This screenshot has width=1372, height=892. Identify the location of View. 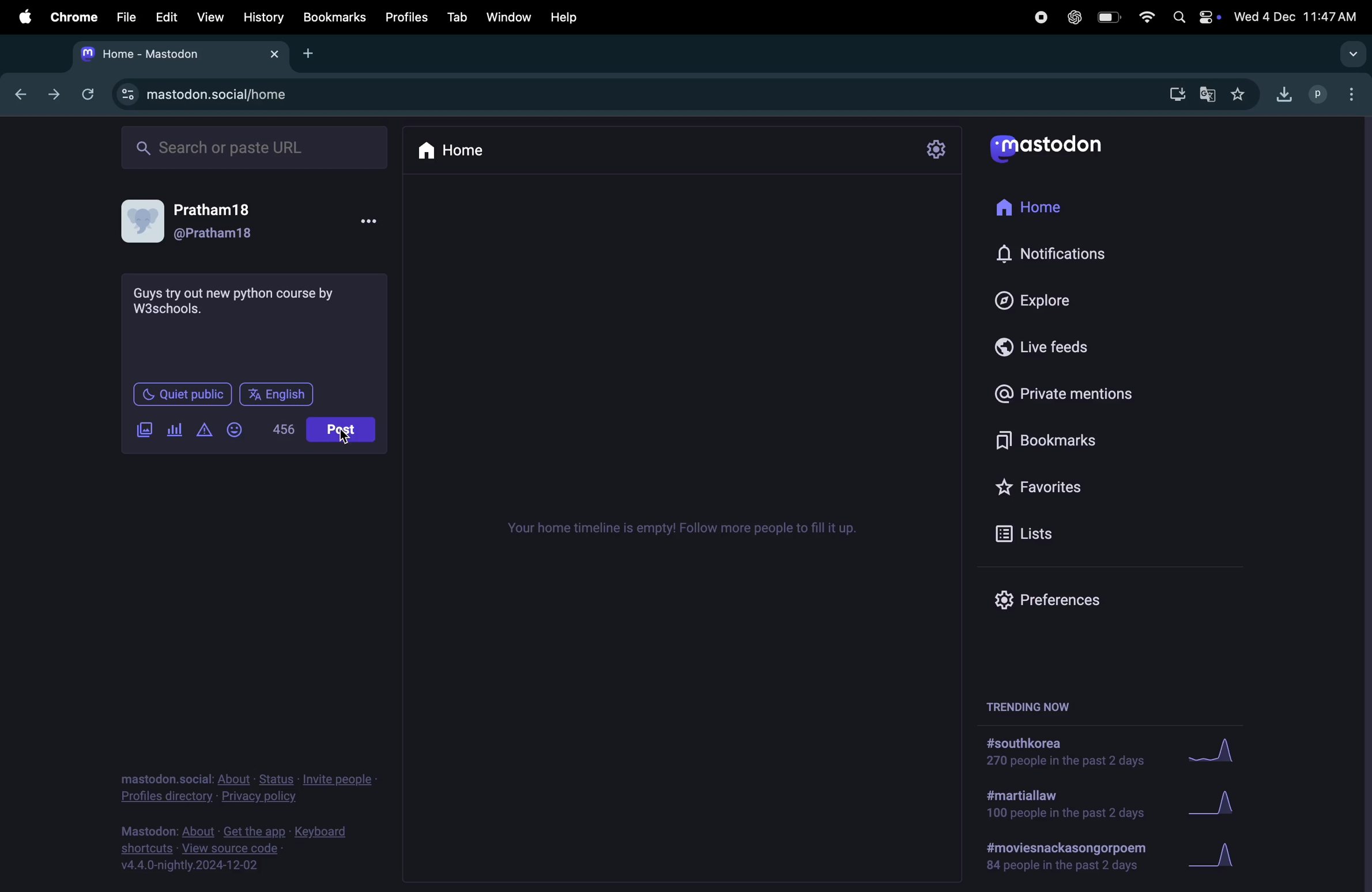
(210, 17).